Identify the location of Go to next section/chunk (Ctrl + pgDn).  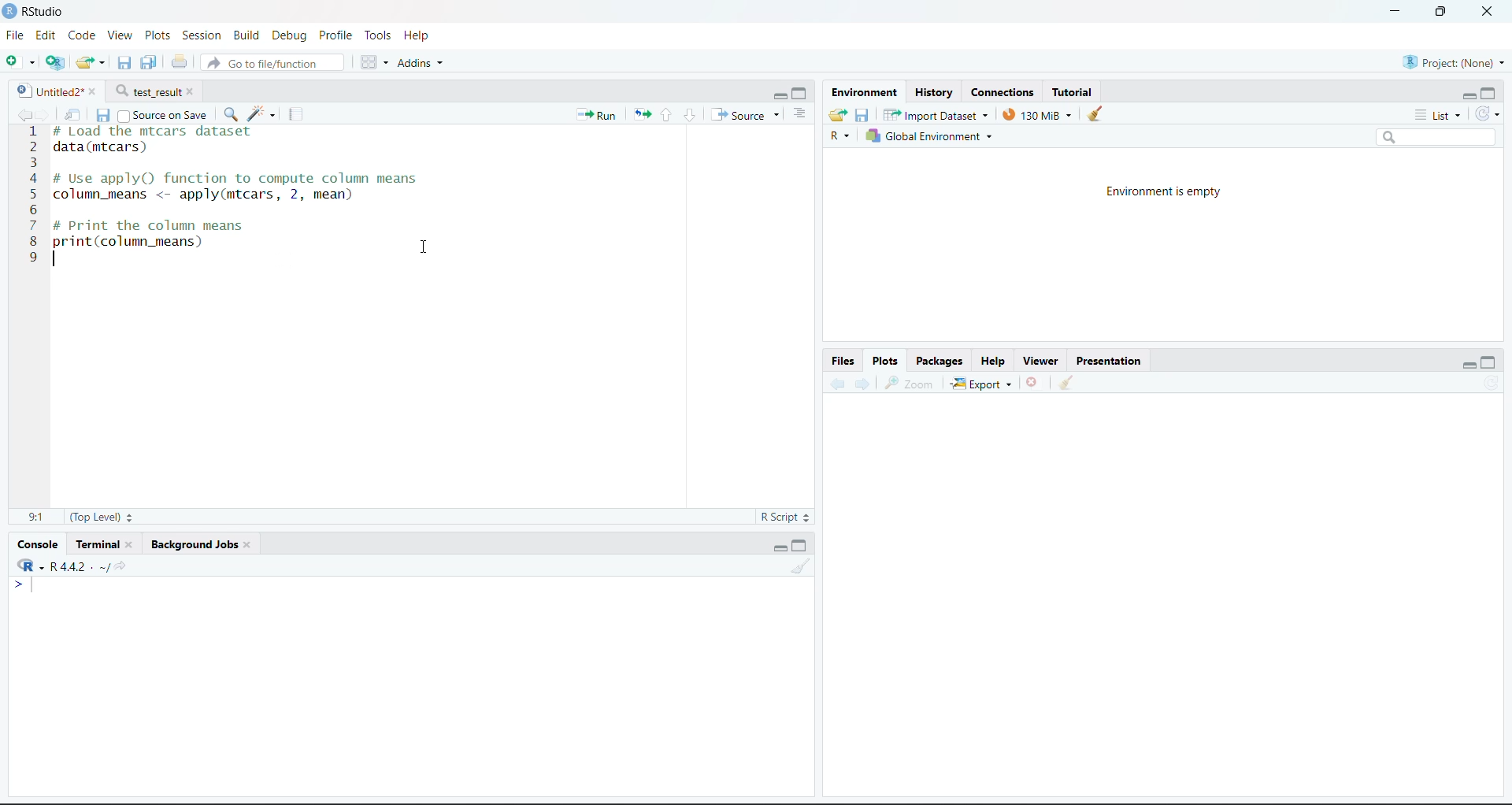
(689, 114).